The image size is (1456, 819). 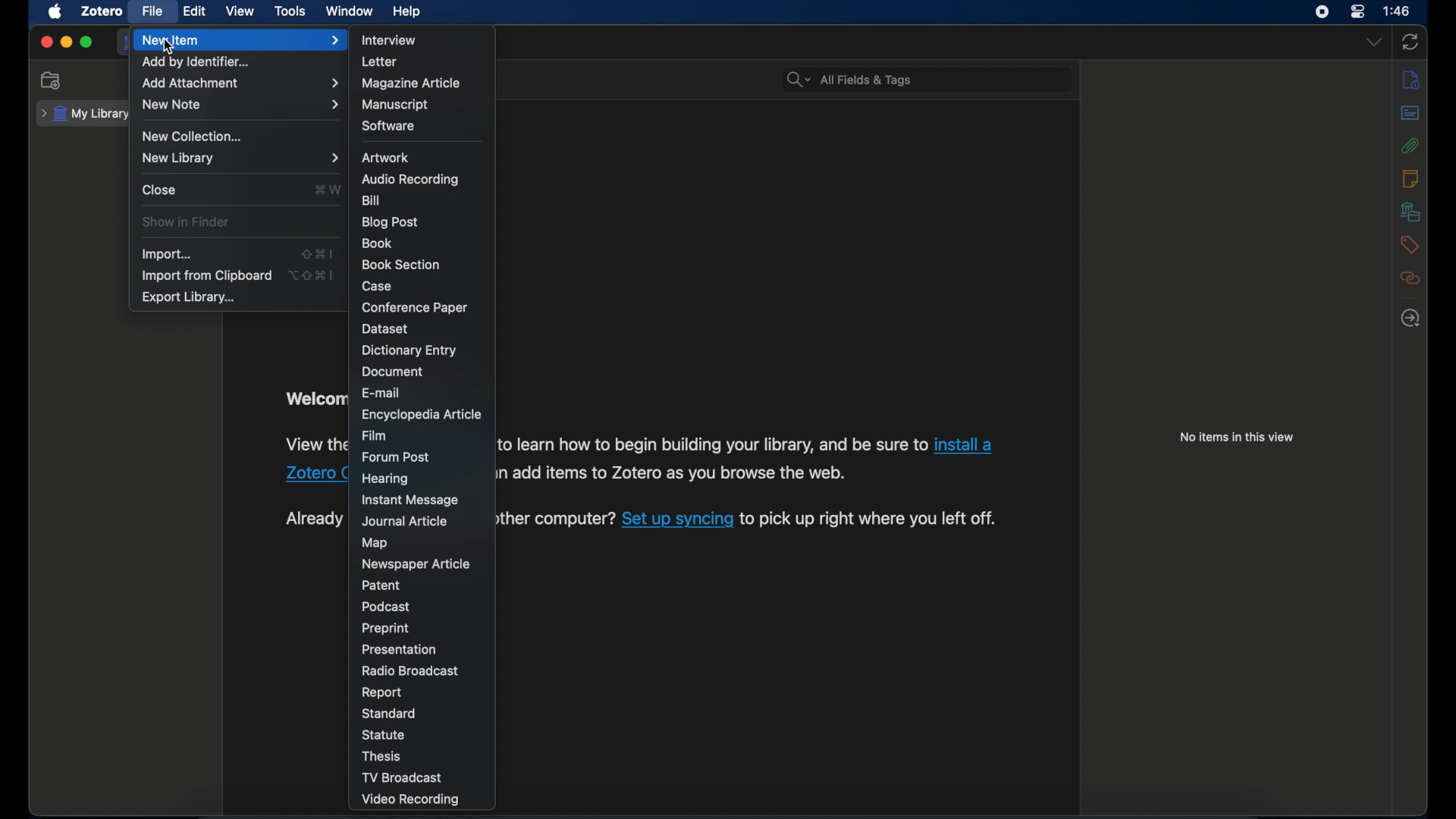 I want to click on apple, so click(x=54, y=12).